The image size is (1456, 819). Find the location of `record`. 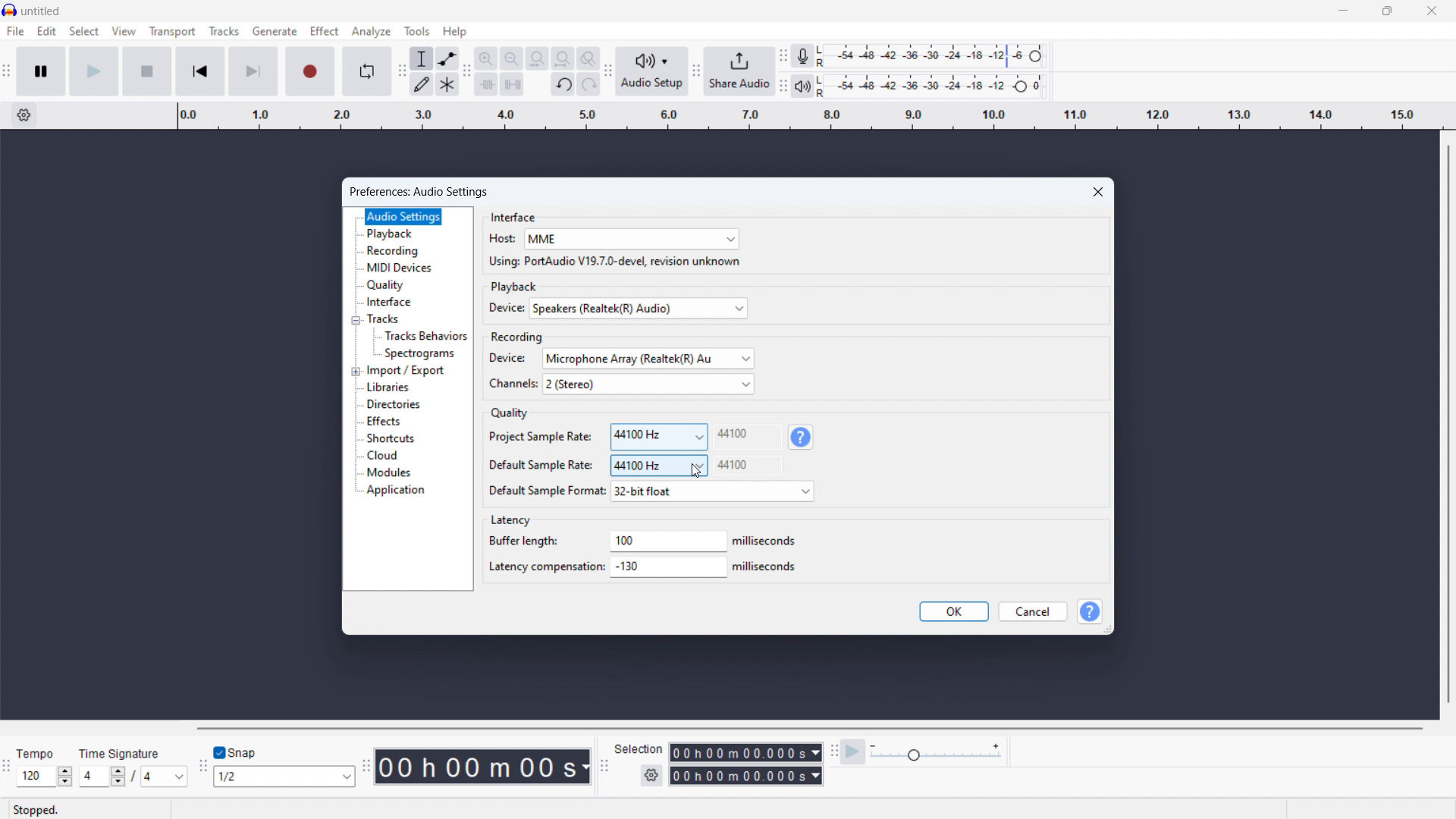

record is located at coordinates (311, 72).